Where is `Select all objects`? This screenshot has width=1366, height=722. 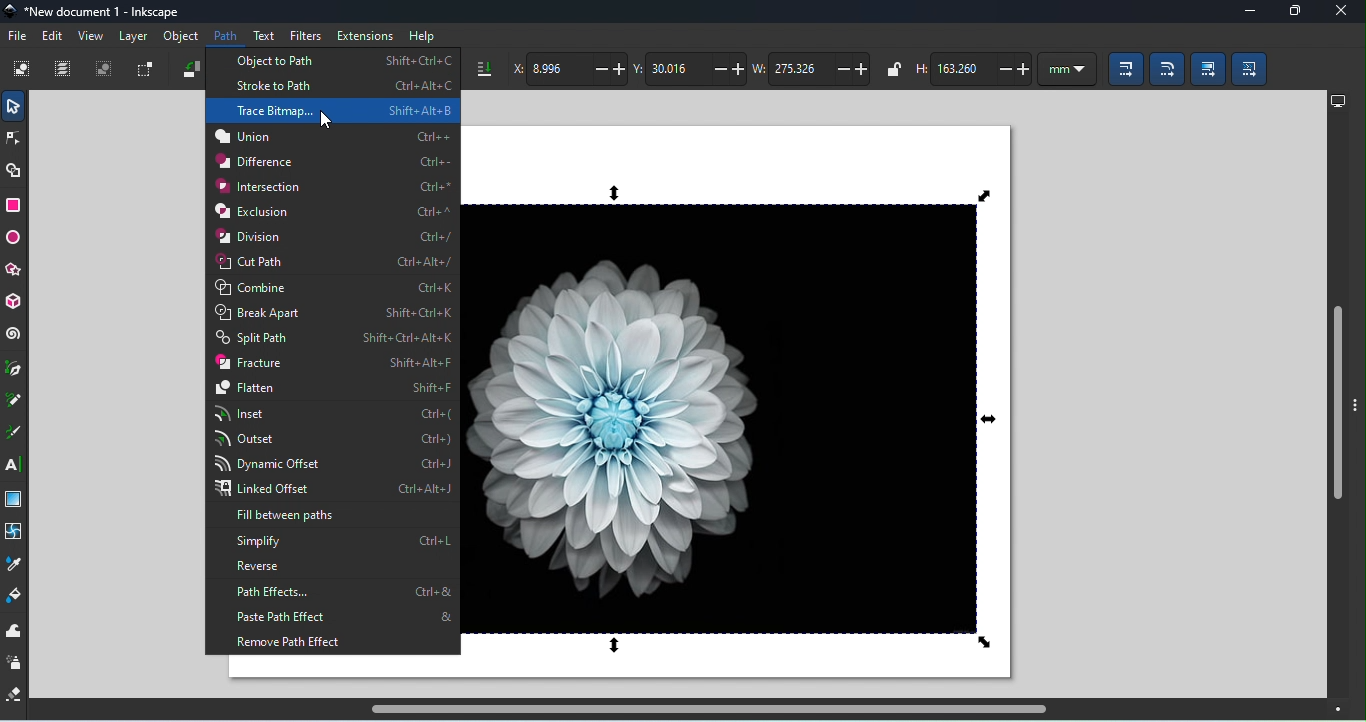
Select all objects is located at coordinates (22, 71).